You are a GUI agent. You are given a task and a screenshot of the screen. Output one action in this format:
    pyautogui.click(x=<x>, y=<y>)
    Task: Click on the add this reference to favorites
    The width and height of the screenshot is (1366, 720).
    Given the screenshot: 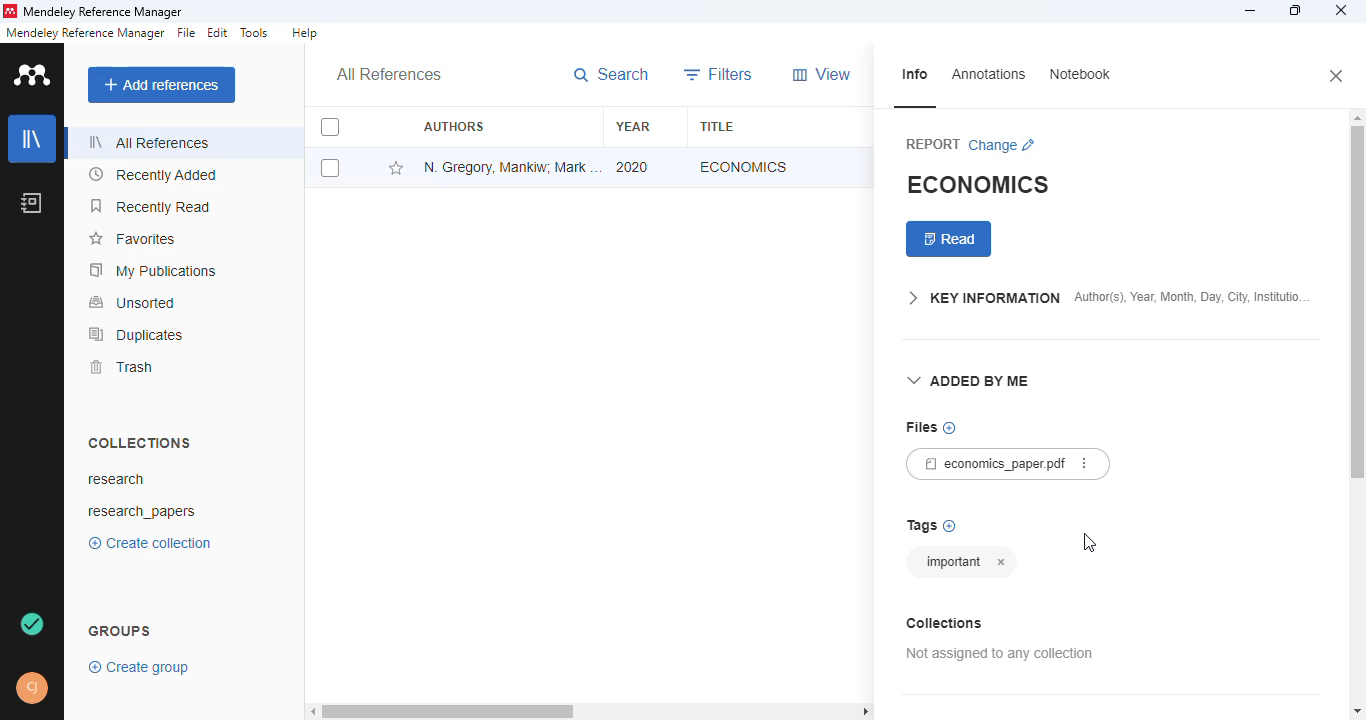 What is the action you would take?
    pyautogui.click(x=396, y=168)
    